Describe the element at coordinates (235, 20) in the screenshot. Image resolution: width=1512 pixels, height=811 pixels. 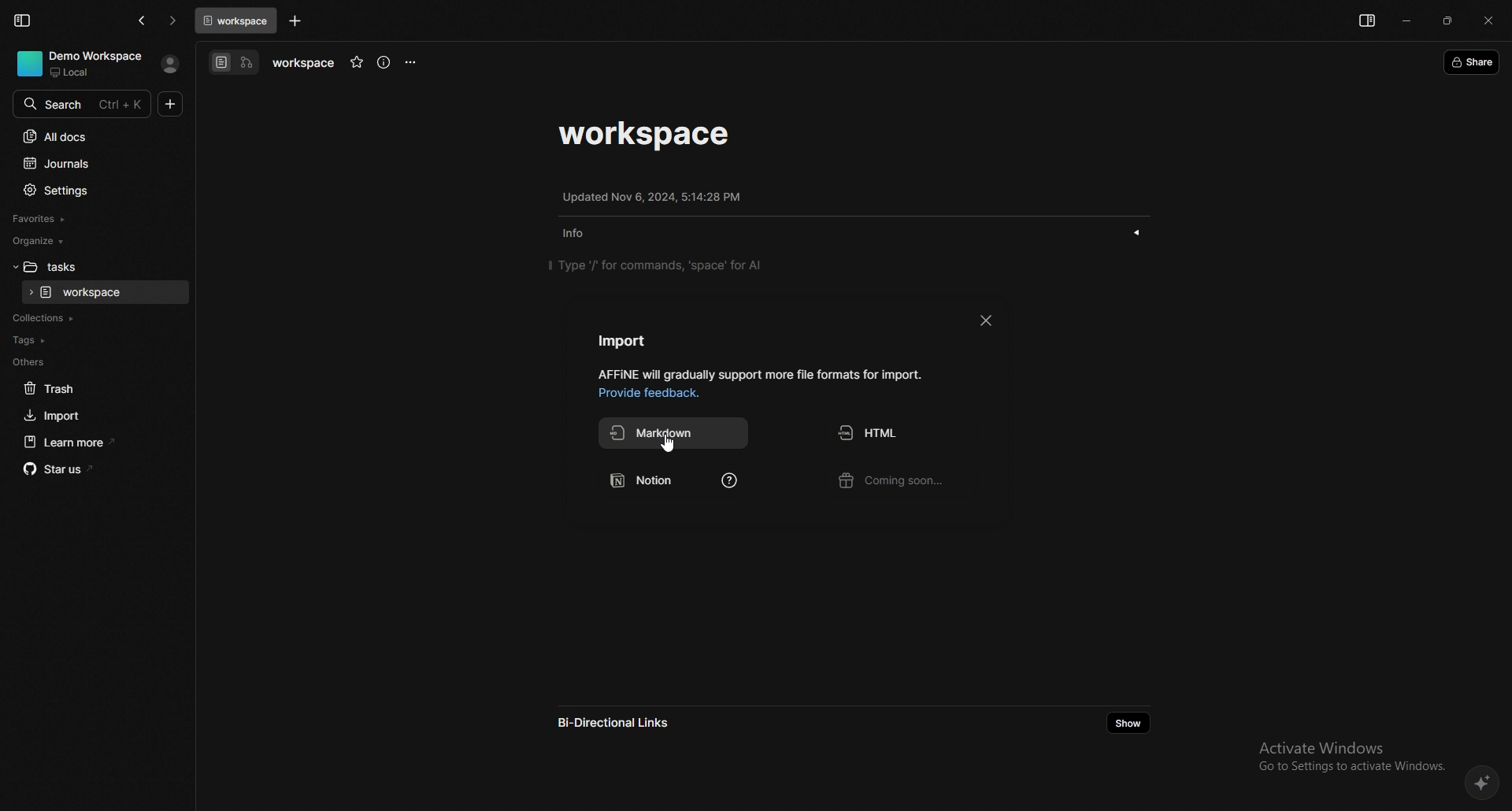
I see `tab 1: workspace` at that location.